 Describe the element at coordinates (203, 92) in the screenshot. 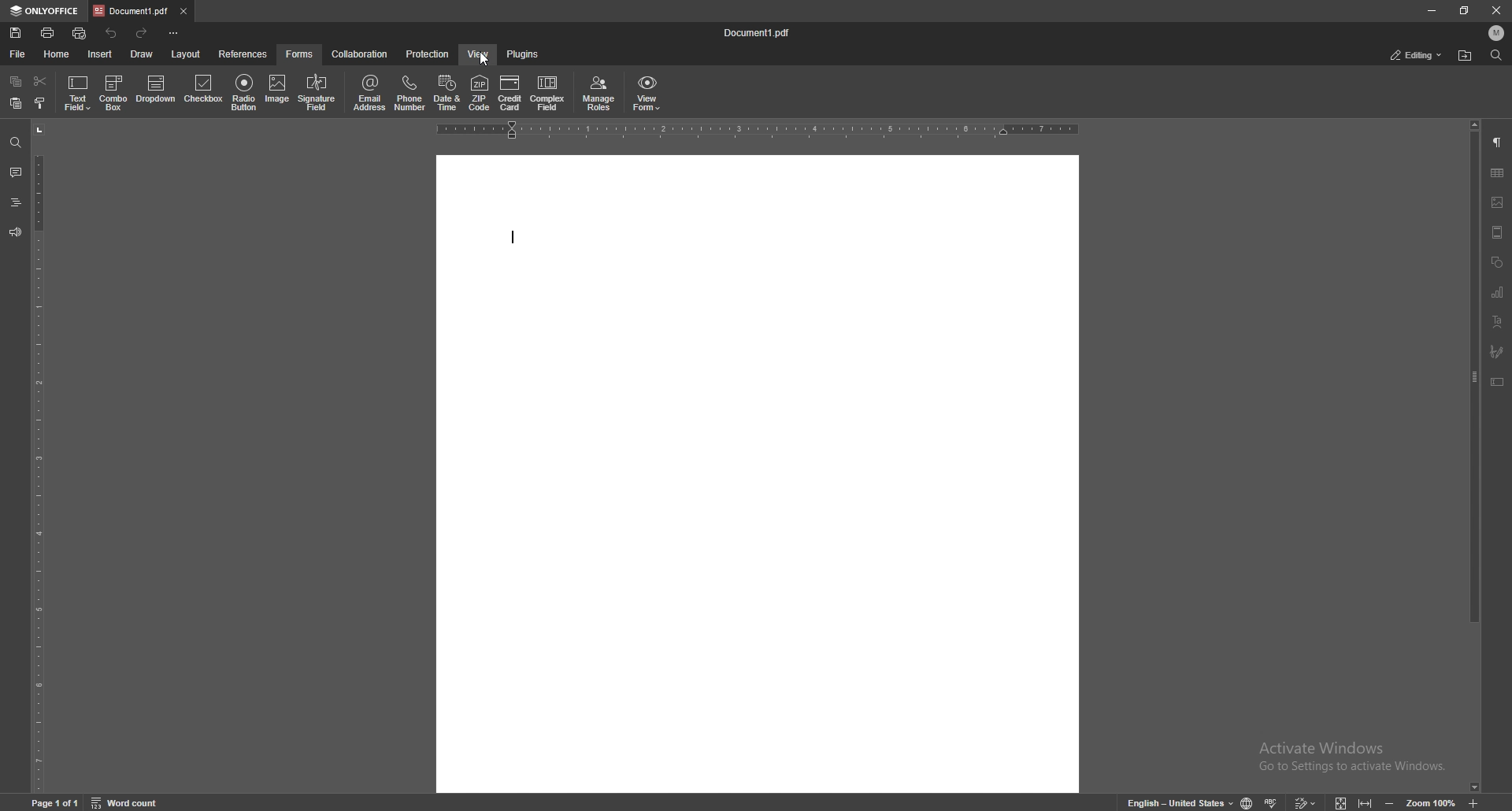

I see `checkbox` at that location.